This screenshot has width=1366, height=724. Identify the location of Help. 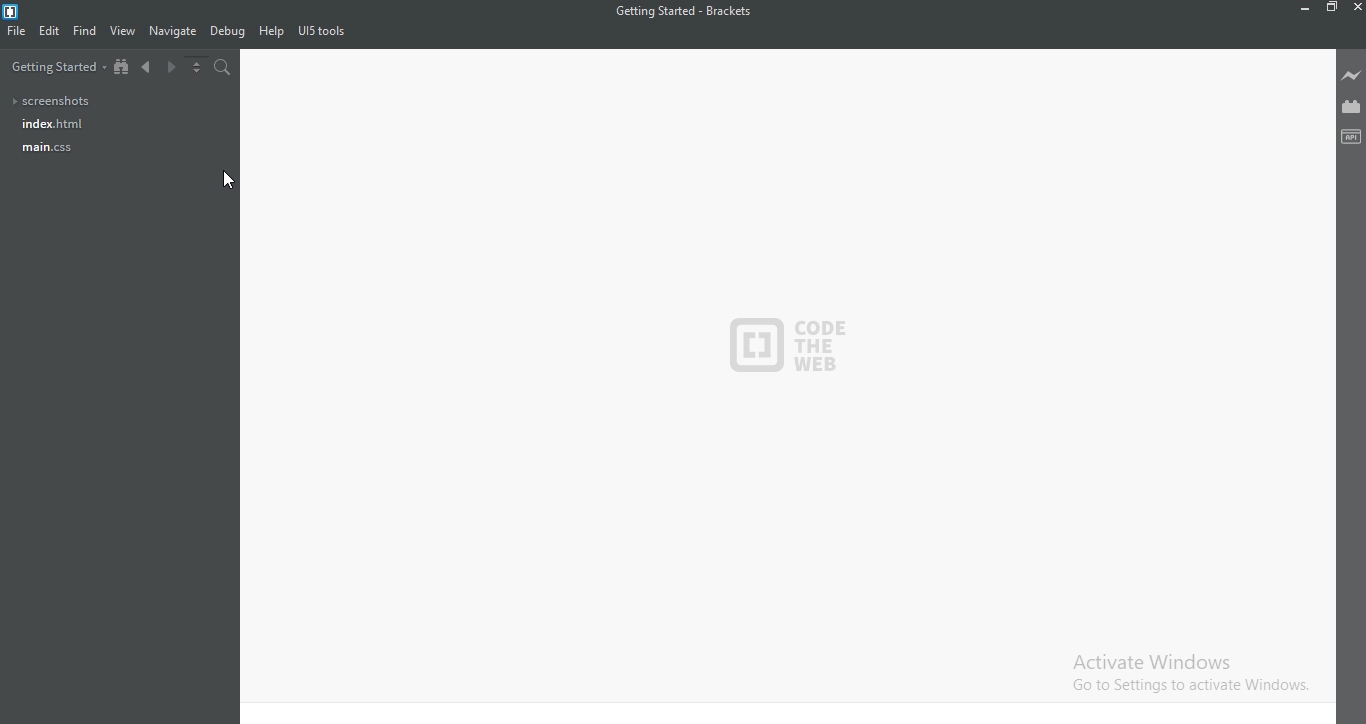
(271, 32).